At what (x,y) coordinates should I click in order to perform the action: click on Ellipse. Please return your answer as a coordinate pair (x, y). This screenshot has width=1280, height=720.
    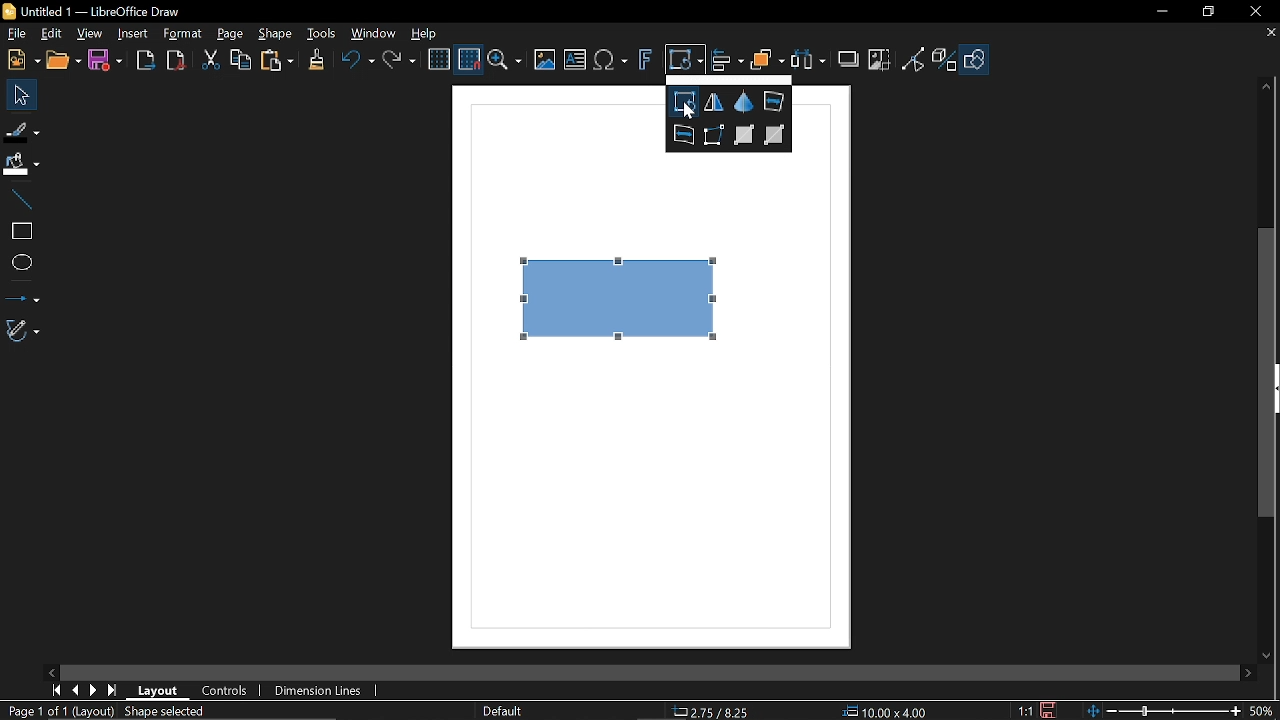
    Looking at the image, I should click on (21, 264).